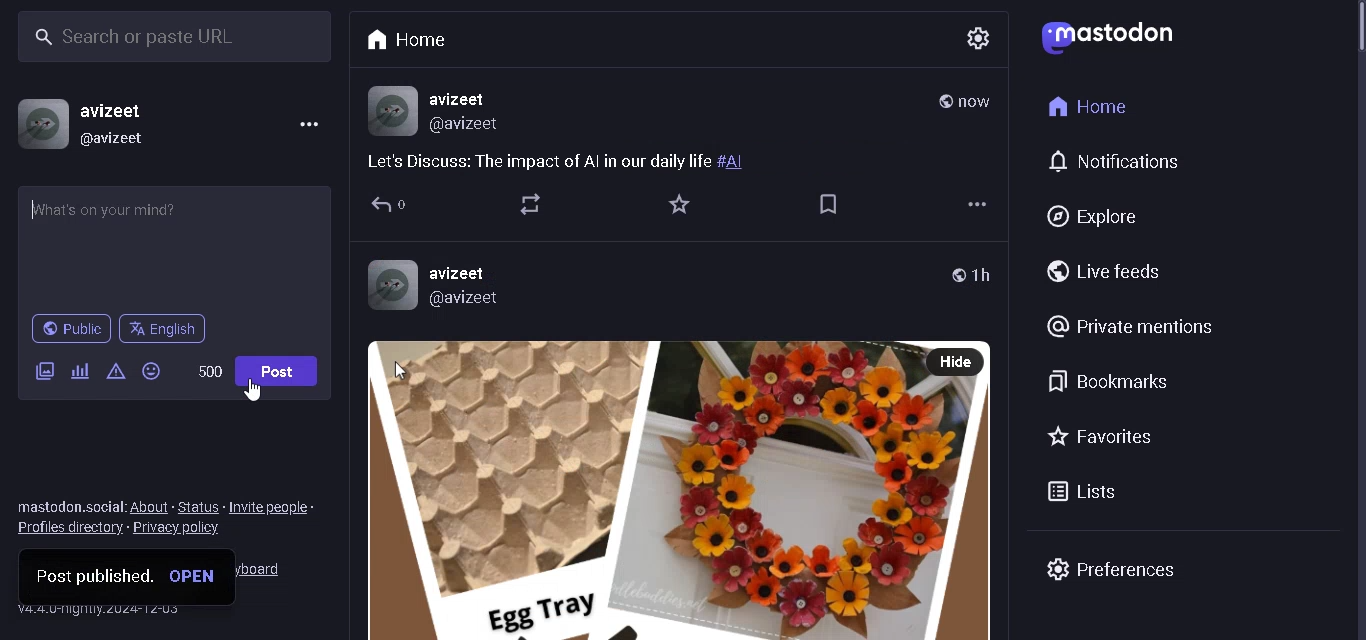  I want to click on FAVORITE, so click(679, 202).